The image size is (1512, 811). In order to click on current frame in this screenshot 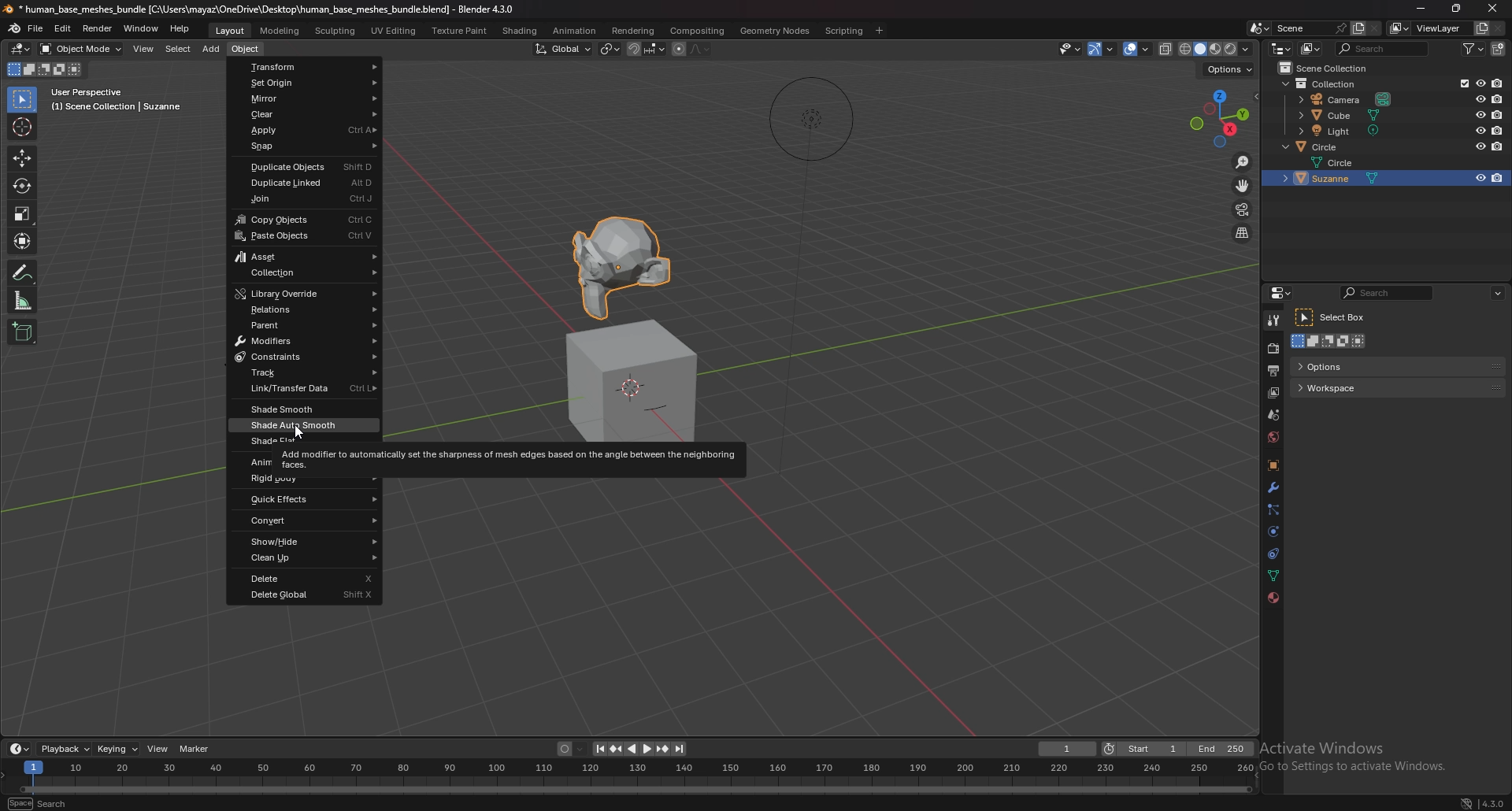, I will do `click(1069, 748)`.